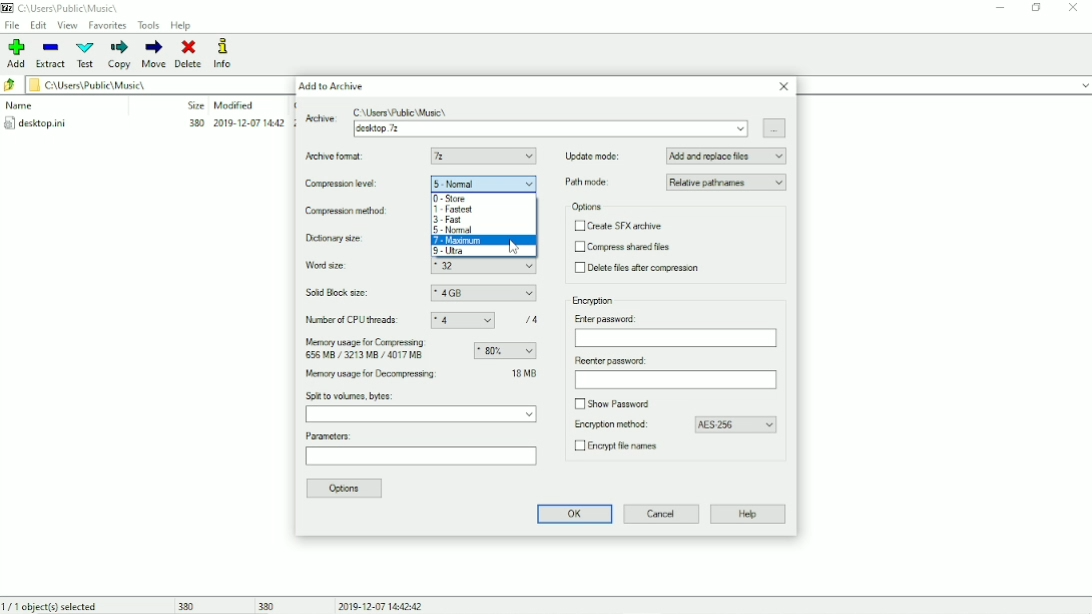 The height and width of the screenshot is (614, 1092). What do you see at coordinates (608, 425) in the screenshot?
I see `Encryption method` at bounding box center [608, 425].